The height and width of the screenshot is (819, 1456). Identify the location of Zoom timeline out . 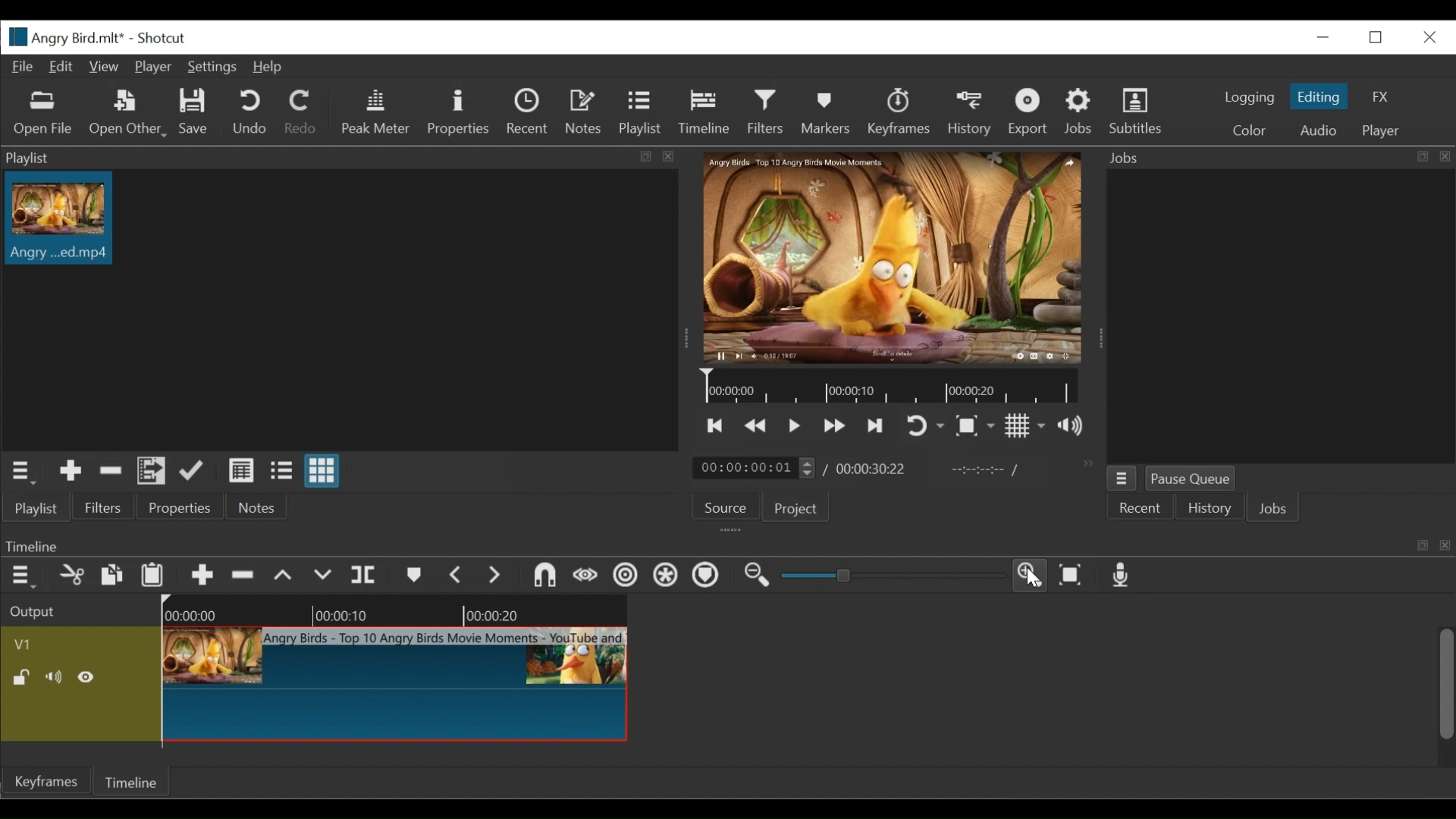
(762, 575).